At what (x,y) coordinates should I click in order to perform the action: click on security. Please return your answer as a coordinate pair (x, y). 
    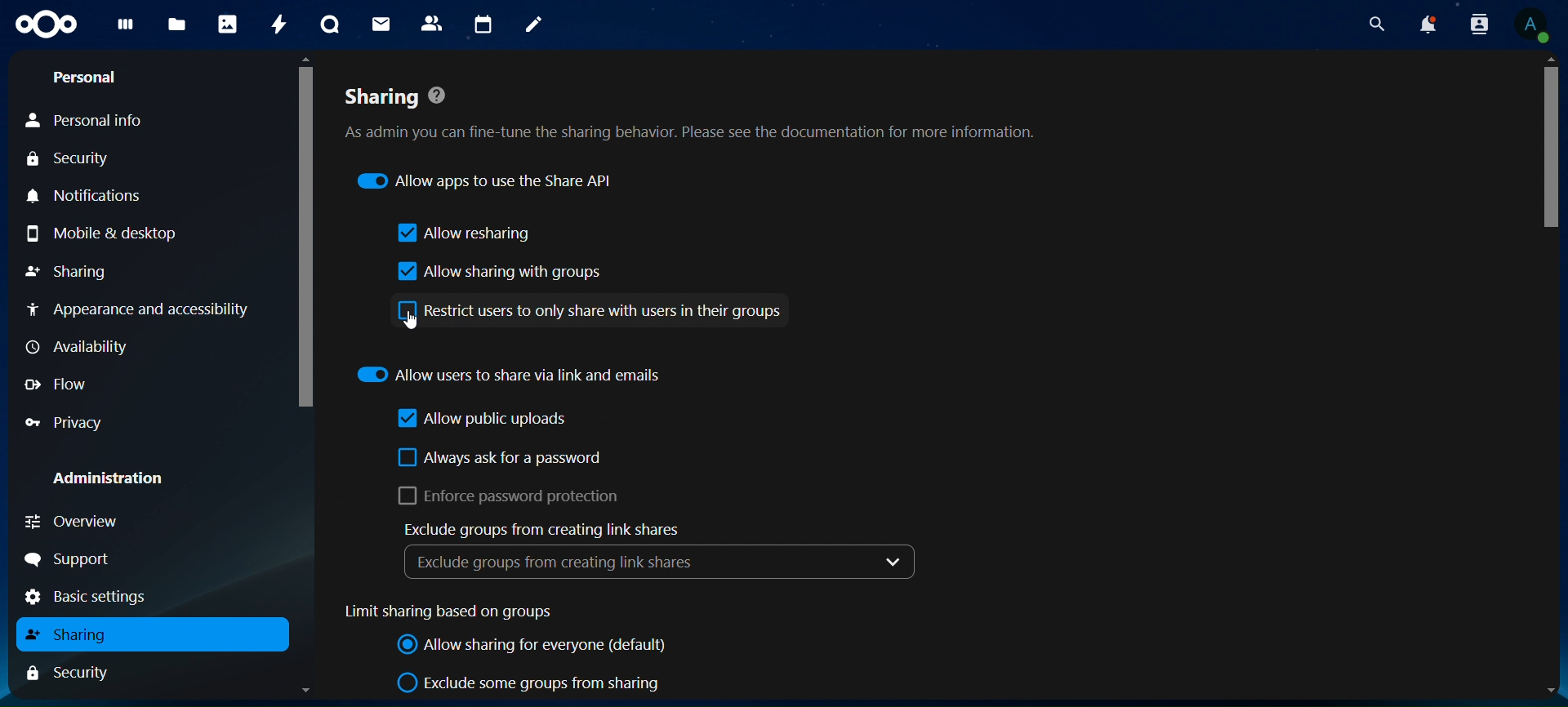
    Looking at the image, I should click on (83, 159).